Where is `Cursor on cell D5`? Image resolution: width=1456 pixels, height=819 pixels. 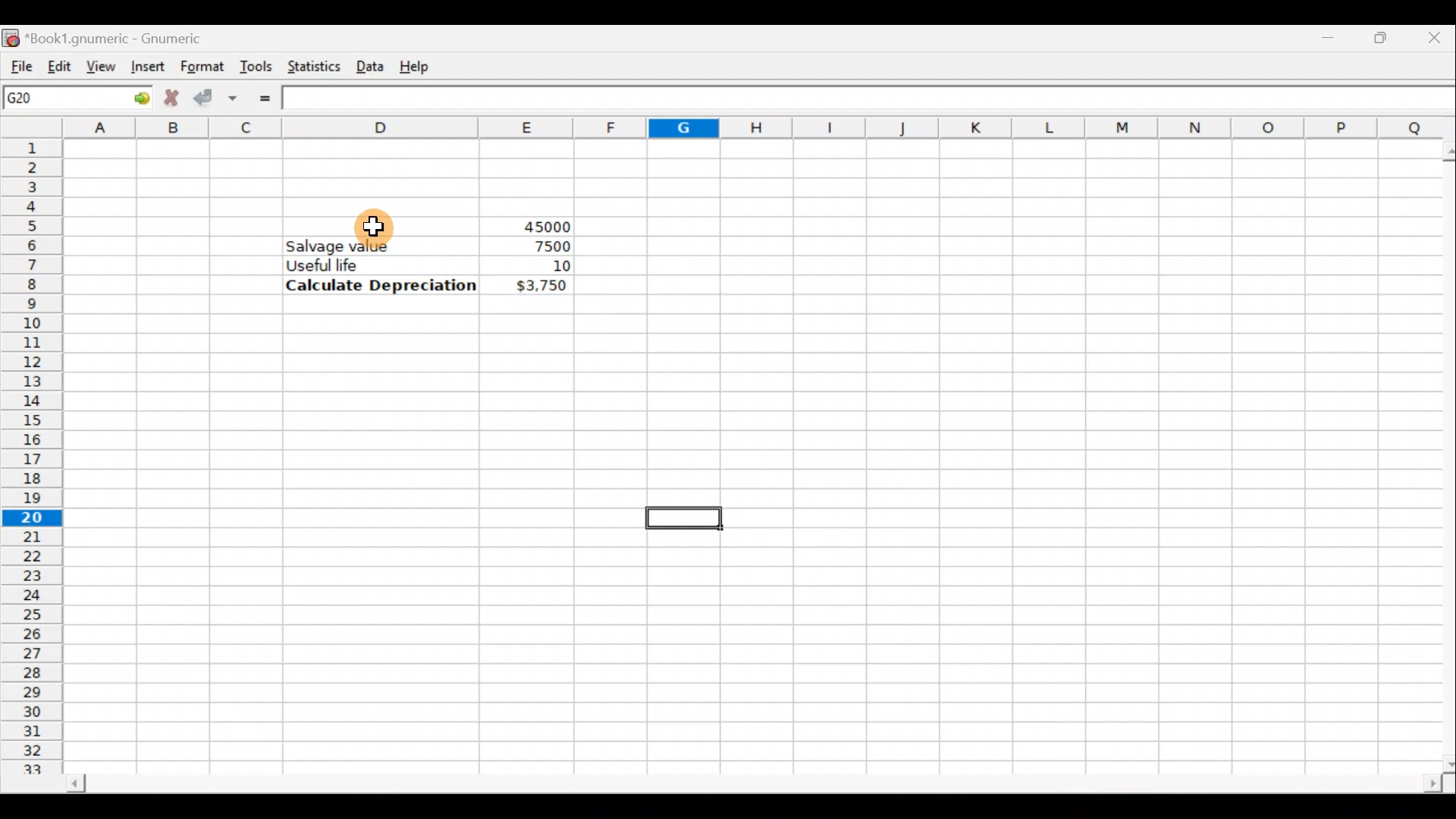 Cursor on cell D5 is located at coordinates (378, 222).